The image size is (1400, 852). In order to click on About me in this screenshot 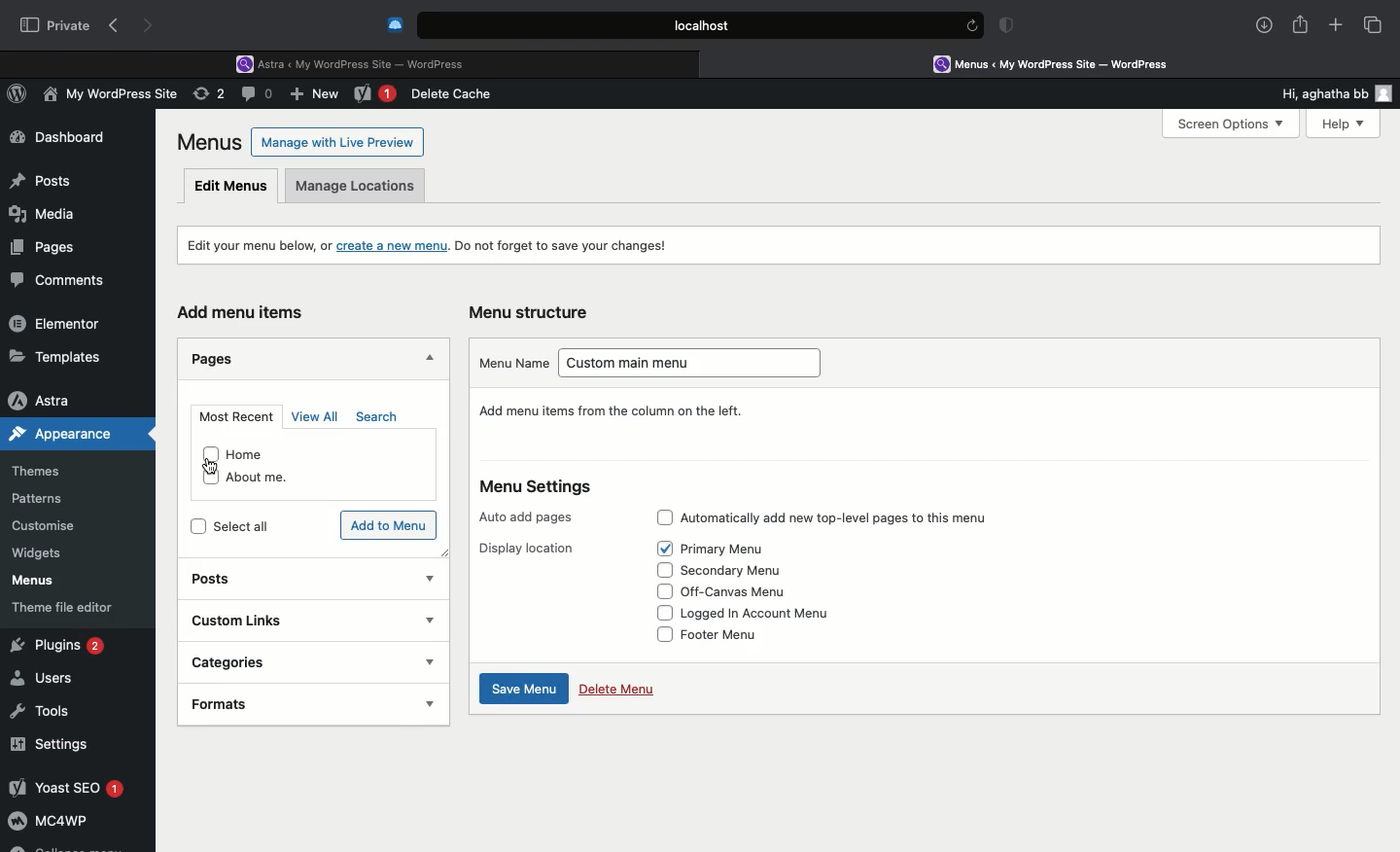, I will do `click(269, 482)`.